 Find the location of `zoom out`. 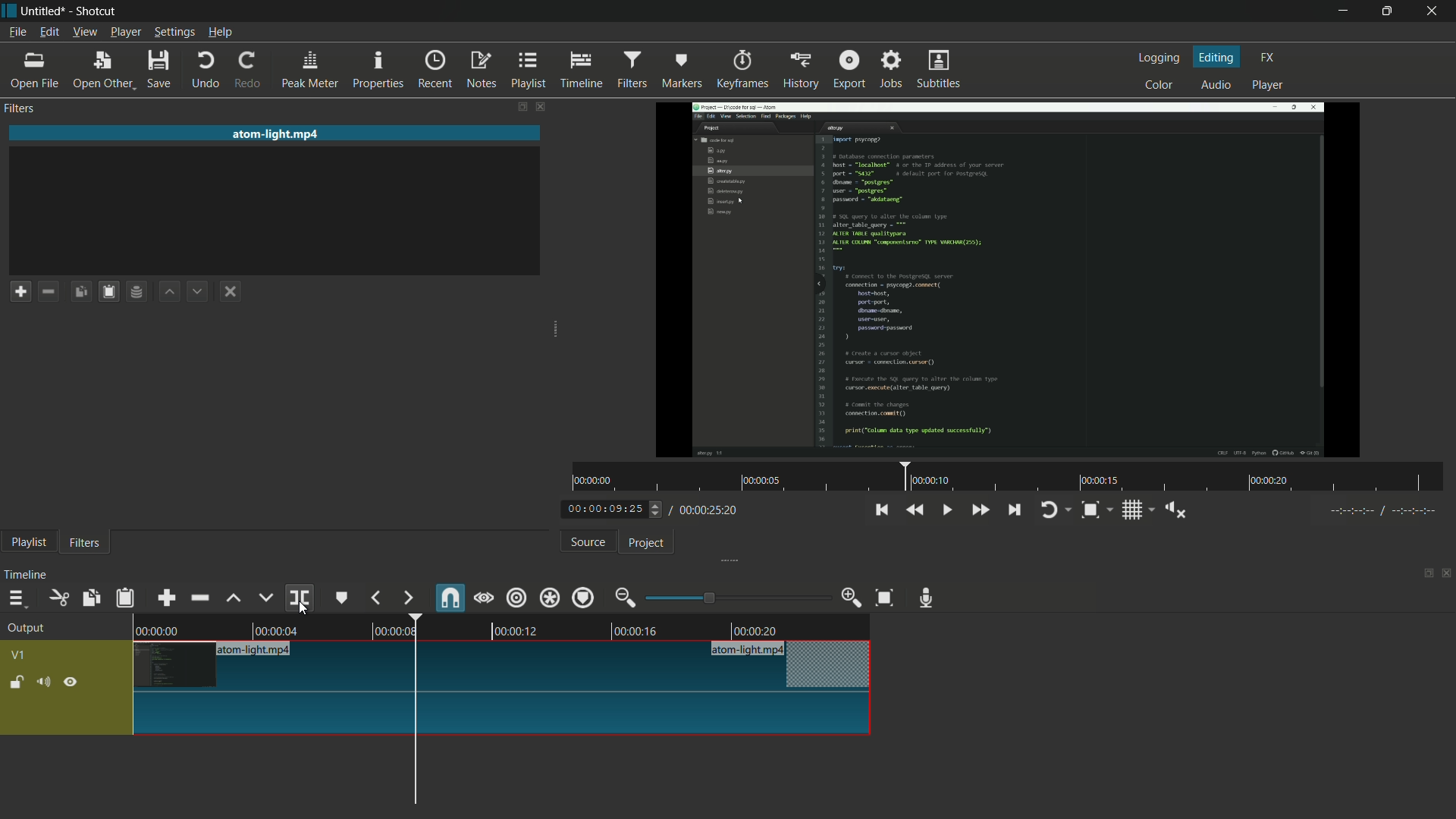

zoom out is located at coordinates (627, 598).